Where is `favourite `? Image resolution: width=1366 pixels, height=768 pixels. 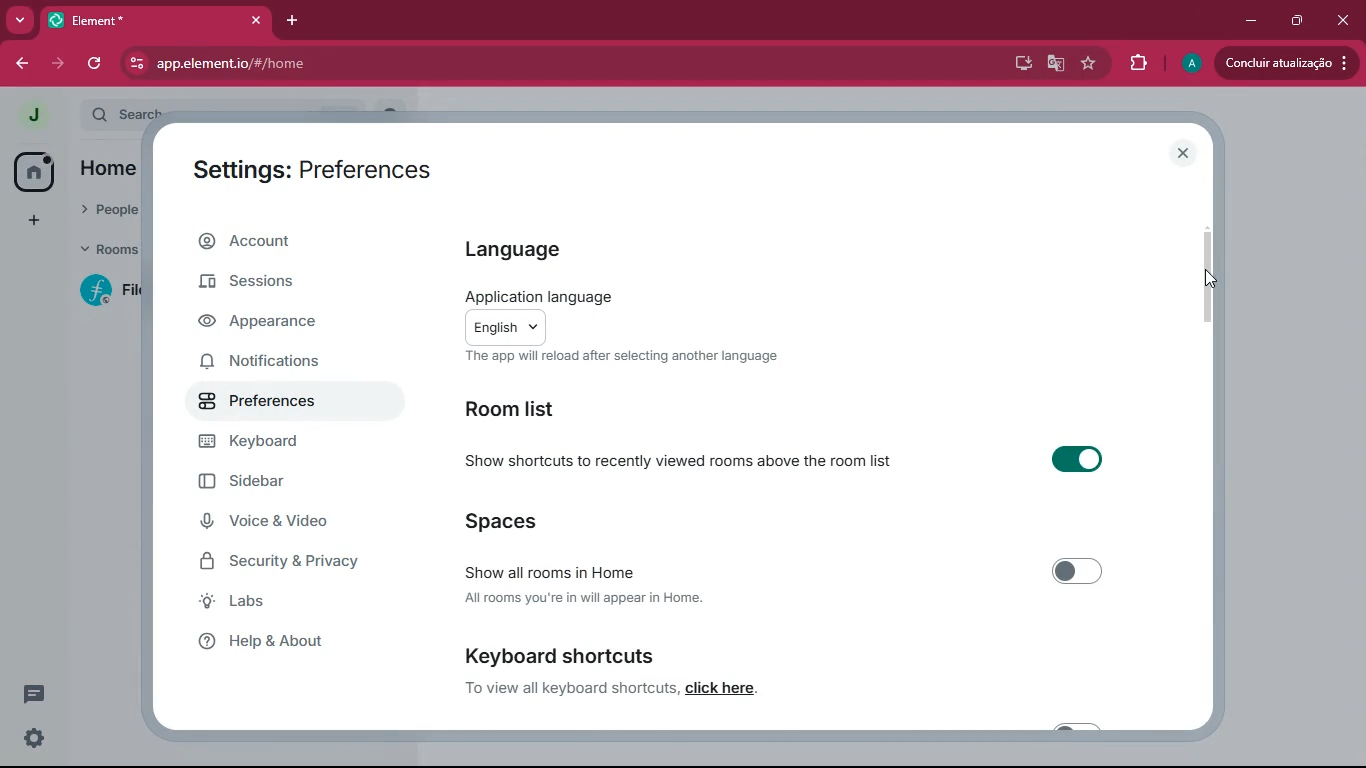 favourite  is located at coordinates (1087, 65).